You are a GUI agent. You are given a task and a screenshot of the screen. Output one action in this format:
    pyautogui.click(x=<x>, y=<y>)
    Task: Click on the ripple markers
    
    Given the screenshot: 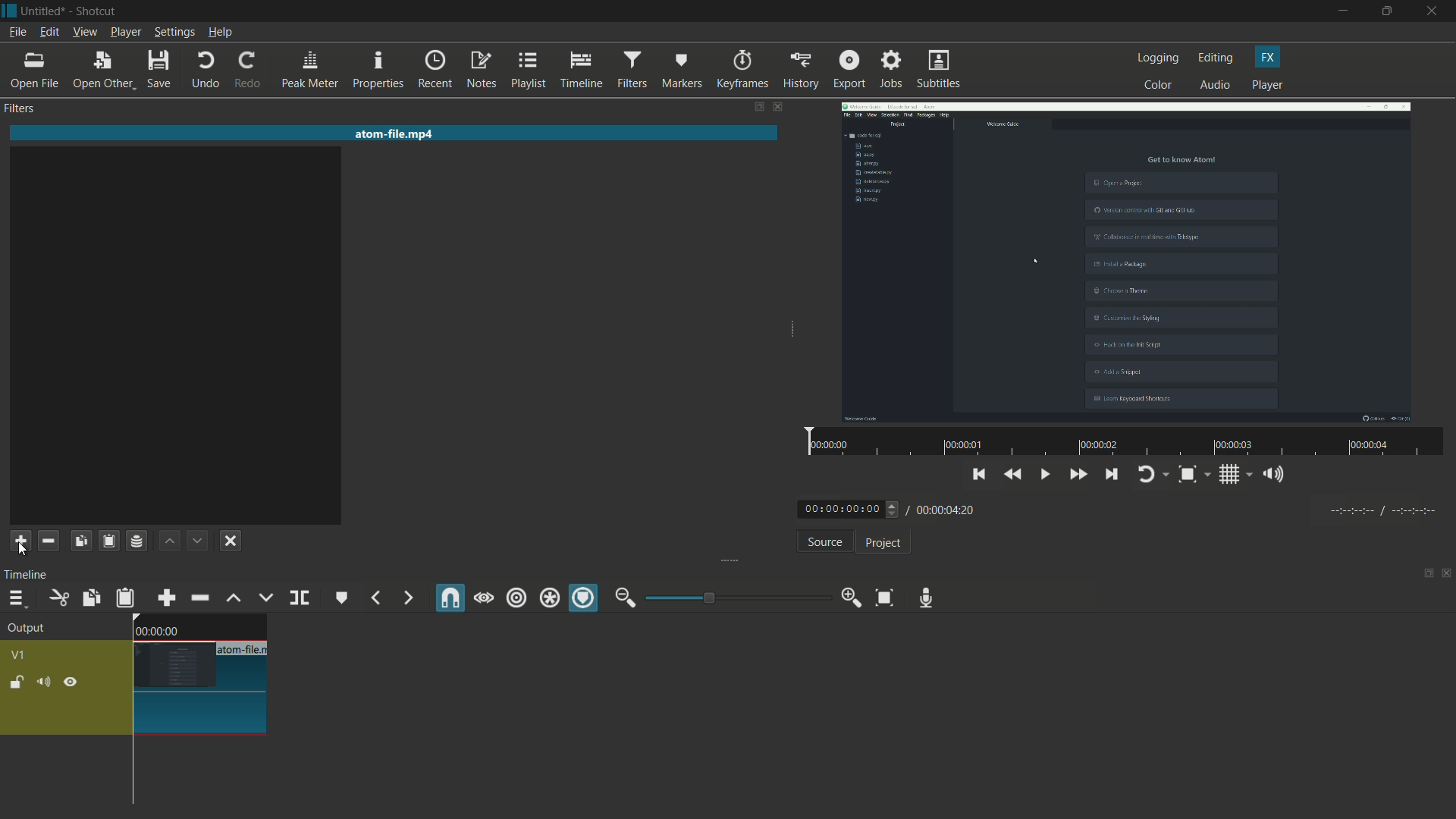 What is the action you would take?
    pyautogui.click(x=585, y=599)
    